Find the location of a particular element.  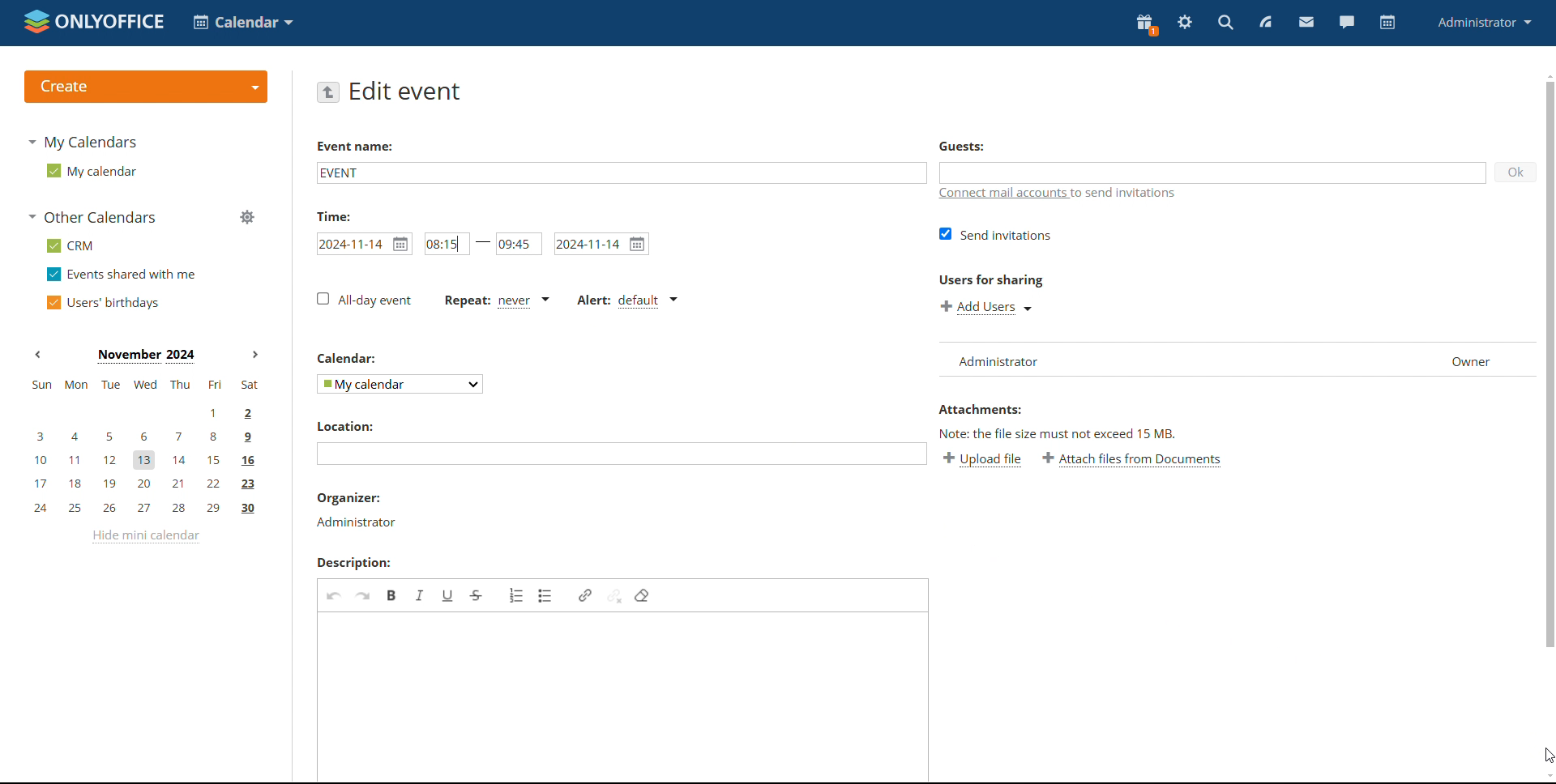

cursor is located at coordinates (1546, 756).